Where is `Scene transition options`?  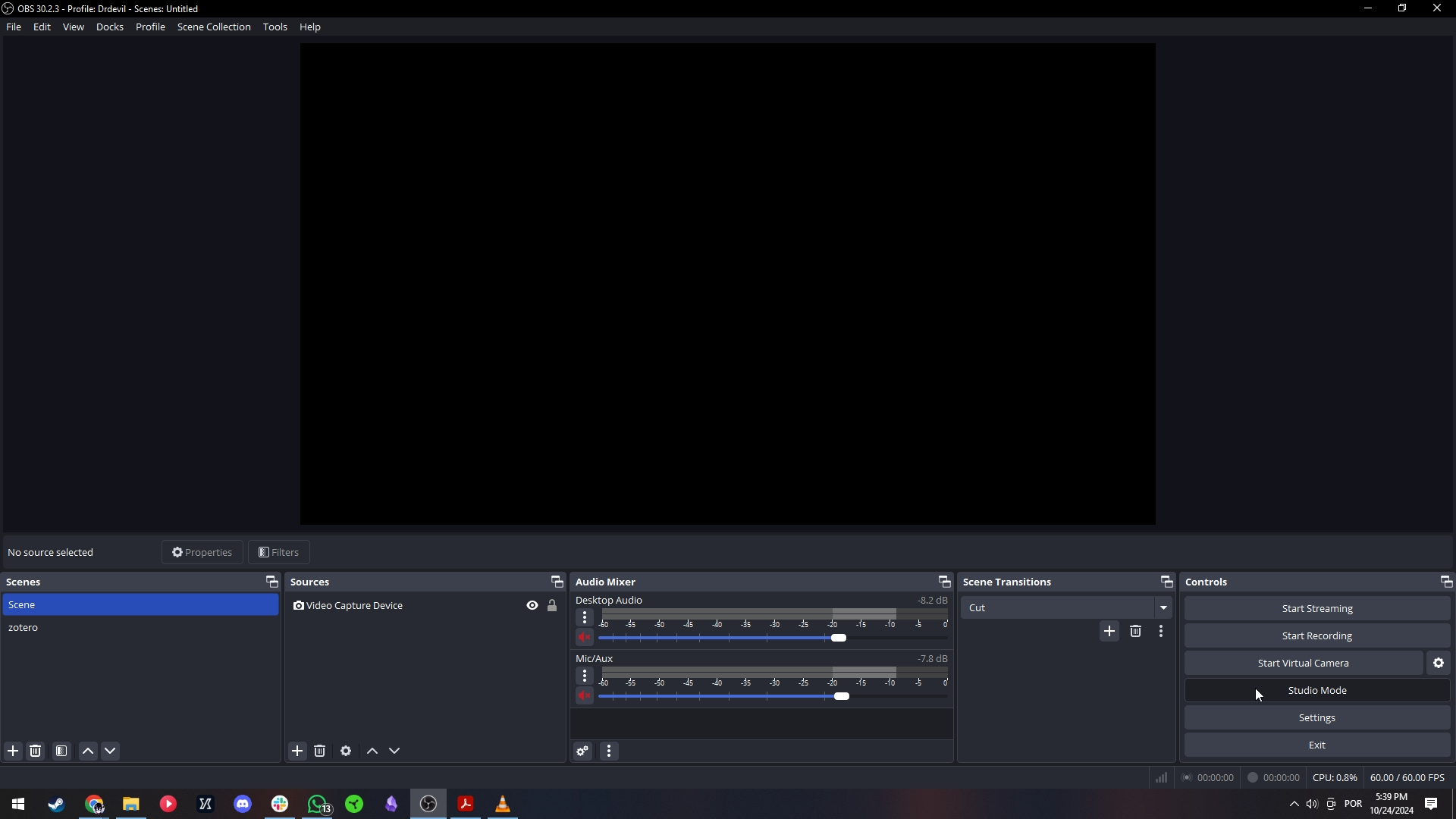
Scene transition options is located at coordinates (1163, 608).